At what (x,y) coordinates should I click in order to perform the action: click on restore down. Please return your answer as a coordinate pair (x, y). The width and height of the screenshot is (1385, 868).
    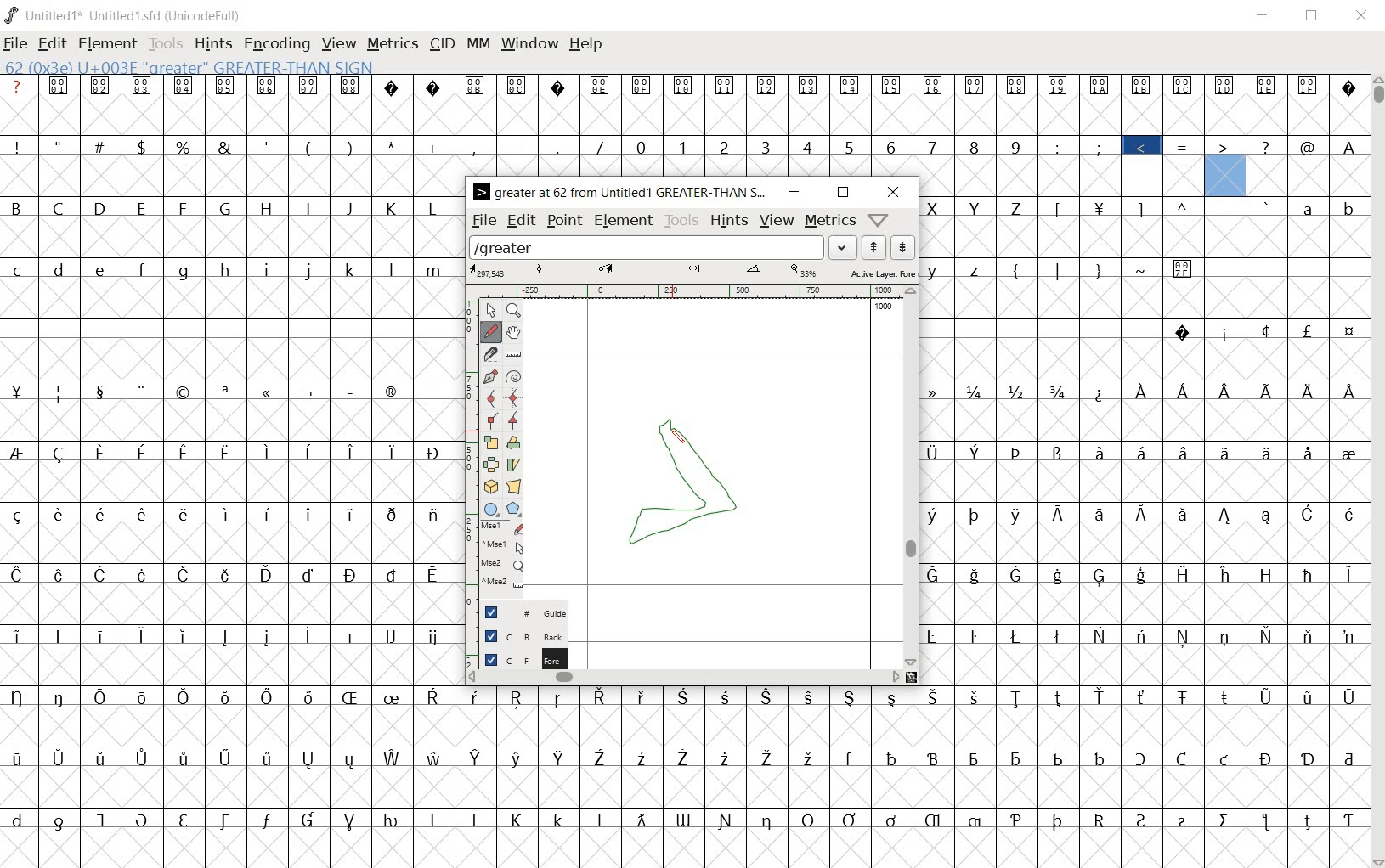
    Looking at the image, I should click on (843, 192).